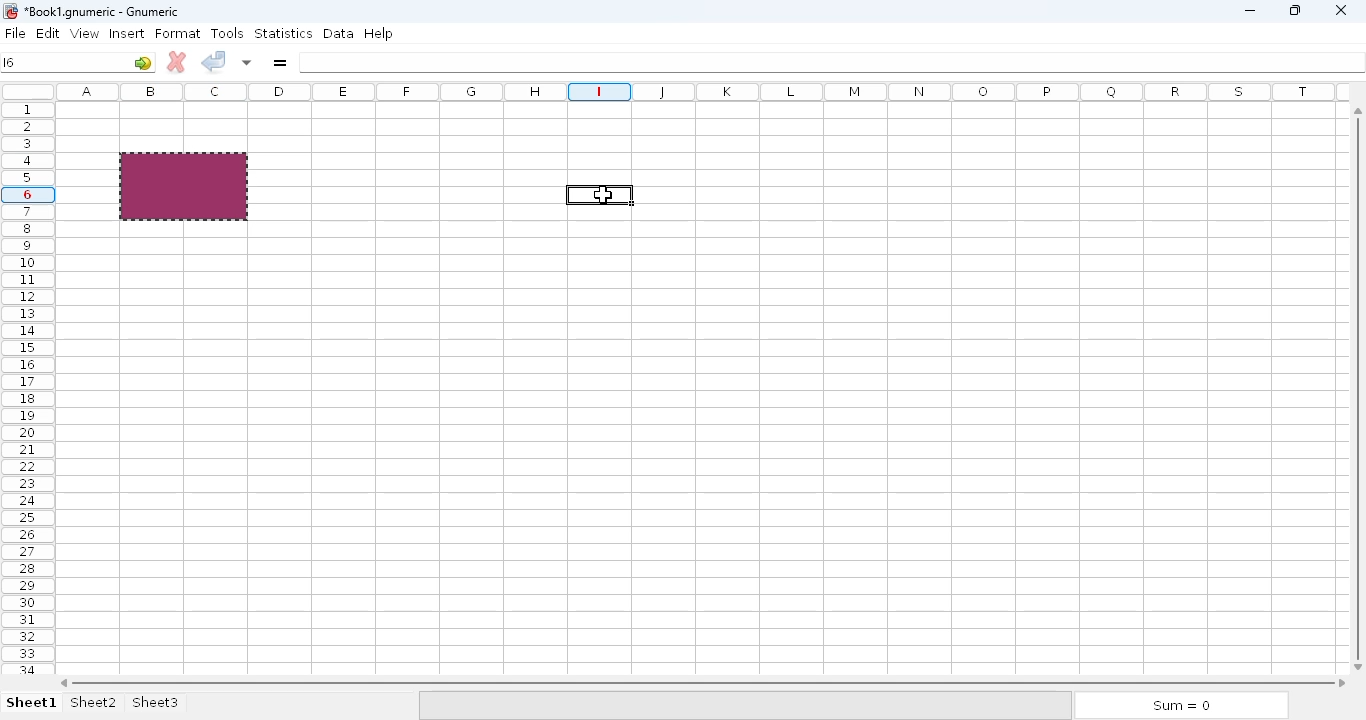 This screenshot has height=720, width=1366. Describe the element at coordinates (144, 63) in the screenshot. I see `go to` at that location.